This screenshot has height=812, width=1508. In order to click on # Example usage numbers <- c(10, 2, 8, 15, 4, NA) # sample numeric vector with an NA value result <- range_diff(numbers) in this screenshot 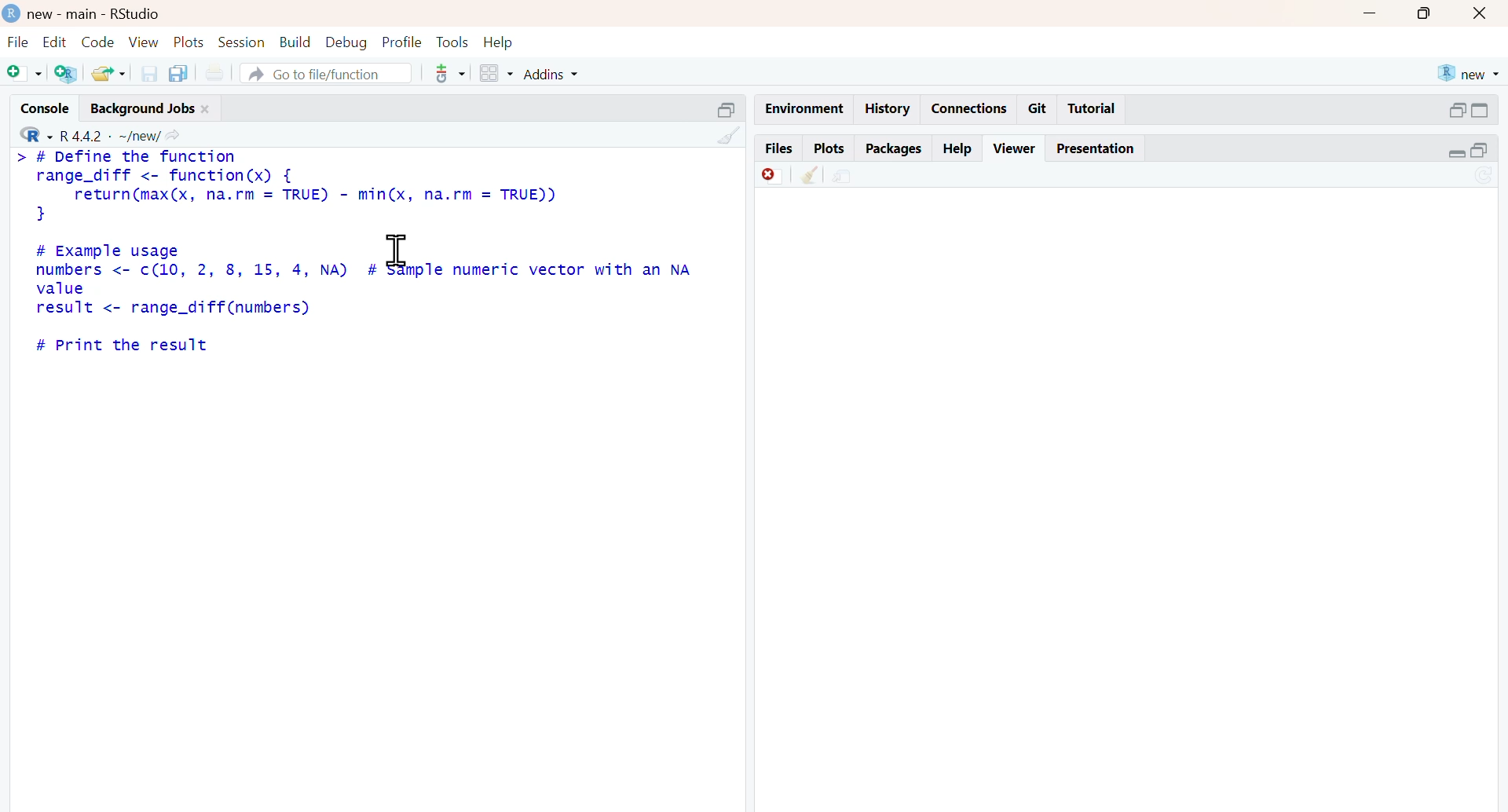, I will do `click(364, 280)`.